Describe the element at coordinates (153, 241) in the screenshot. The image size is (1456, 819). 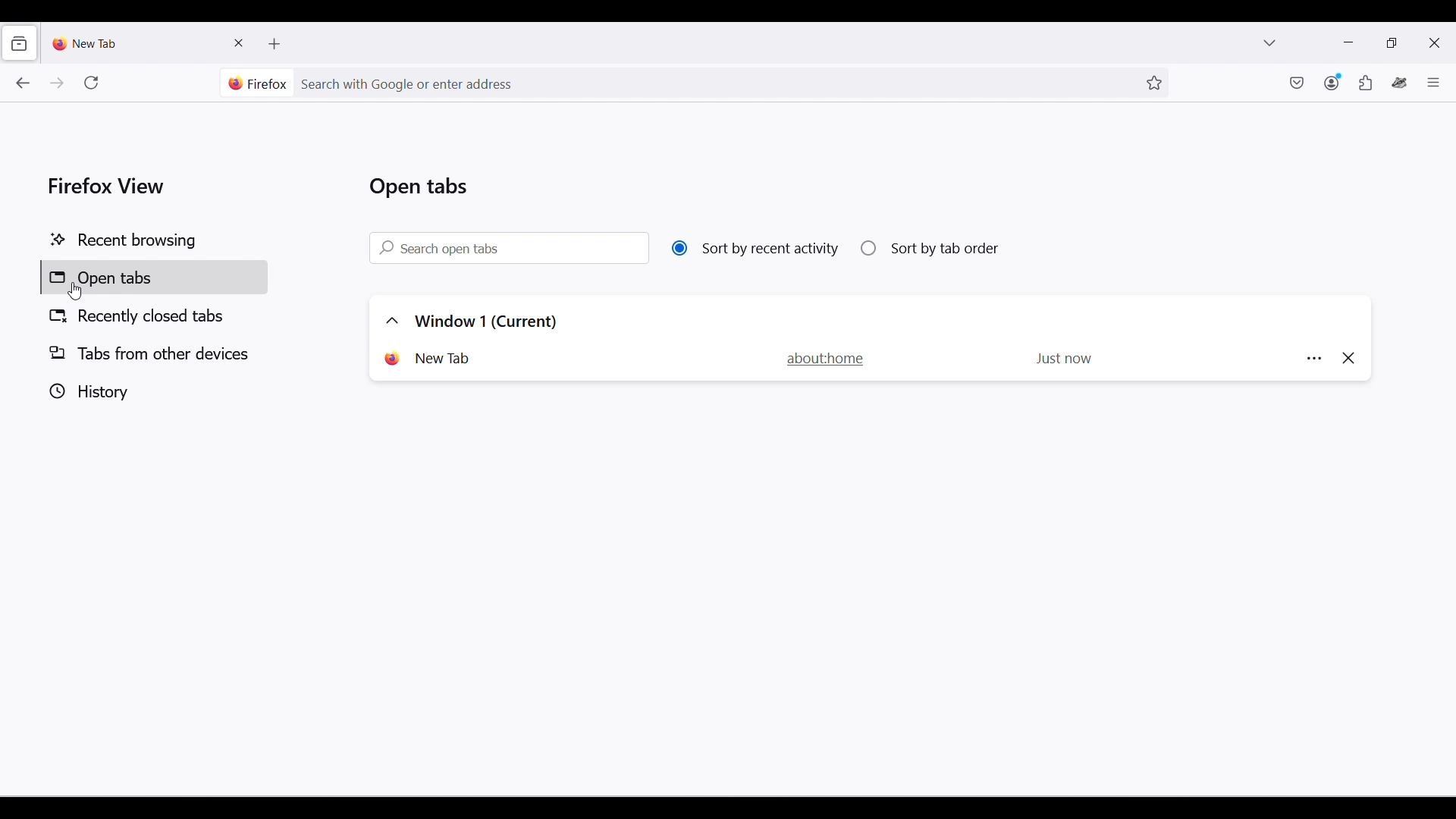
I see `Recent browsing` at that location.